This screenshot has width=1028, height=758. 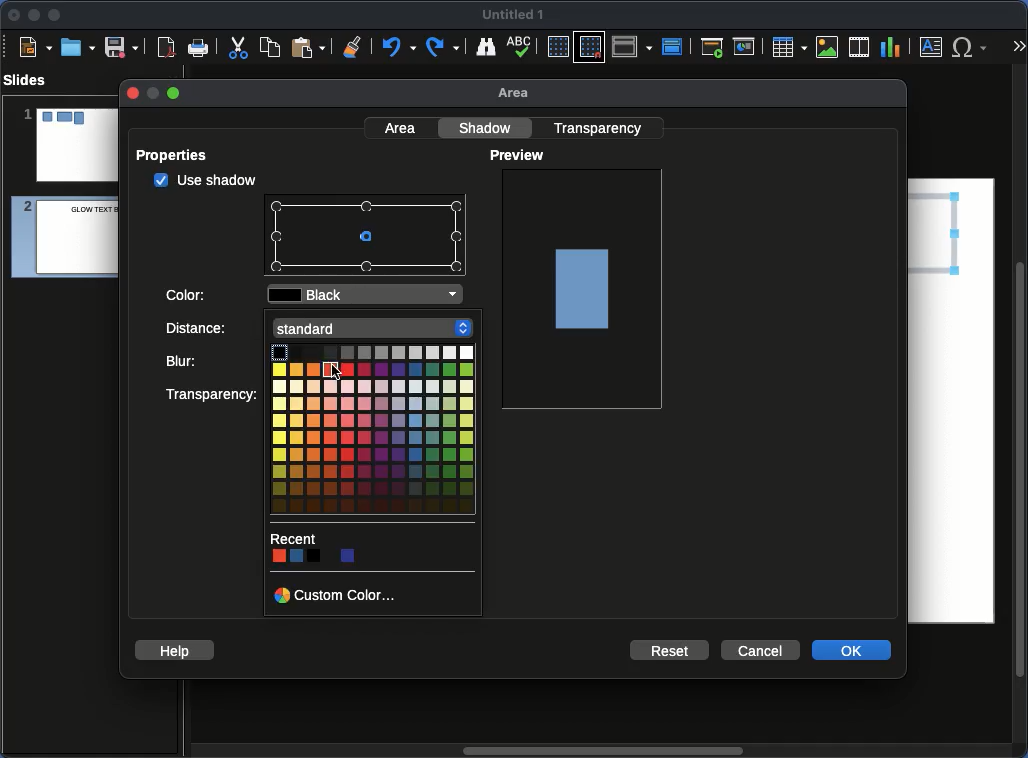 I want to click on Selected, so click(x=370, y=238).